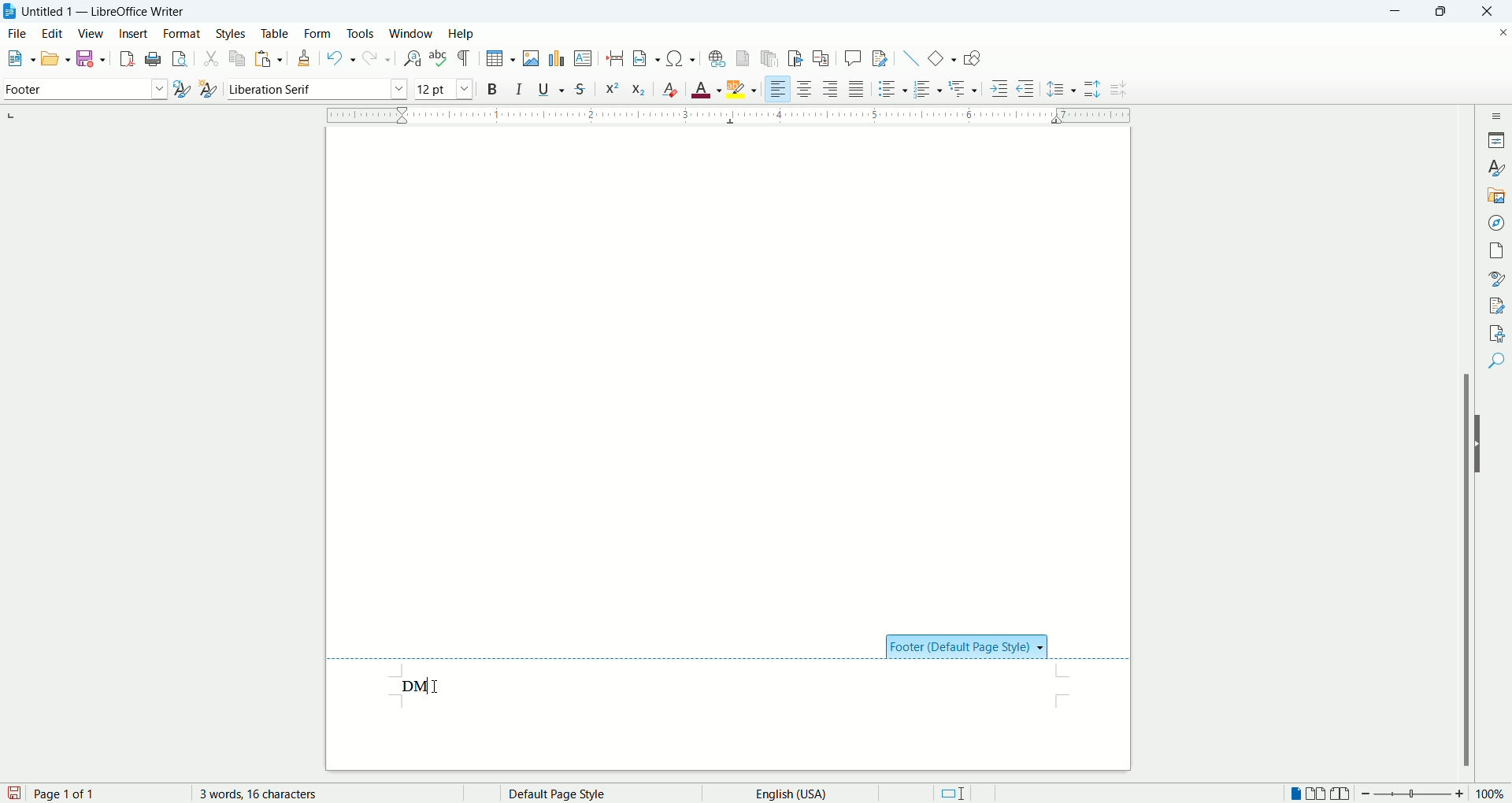  Describe the element at coordinates (272, 794) in the screenshot. I see `word count` at that location.